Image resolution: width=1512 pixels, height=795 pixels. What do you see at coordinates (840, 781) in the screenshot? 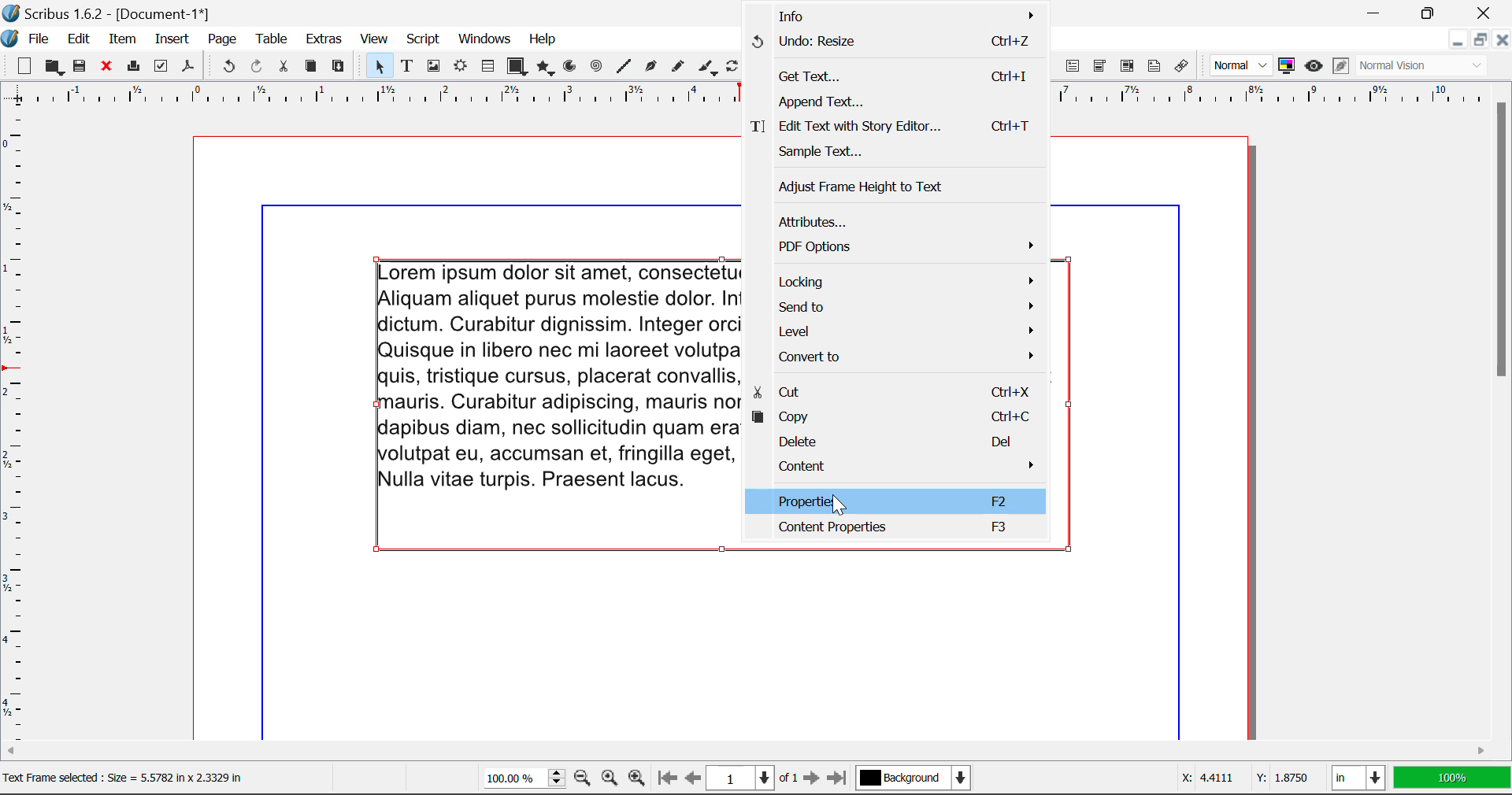
I see `Last Page` at bounding box center [840, 781].